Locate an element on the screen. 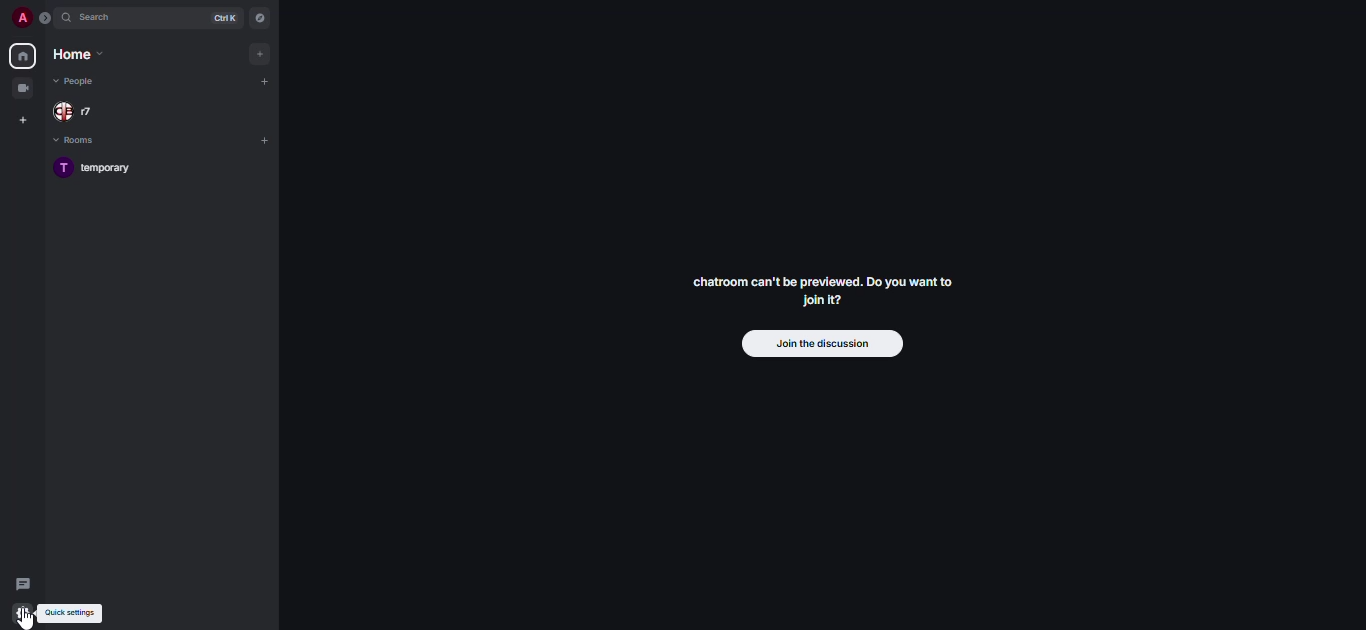 This screenshot has width=1366, height=630. people is located at coordinates (83, 112).